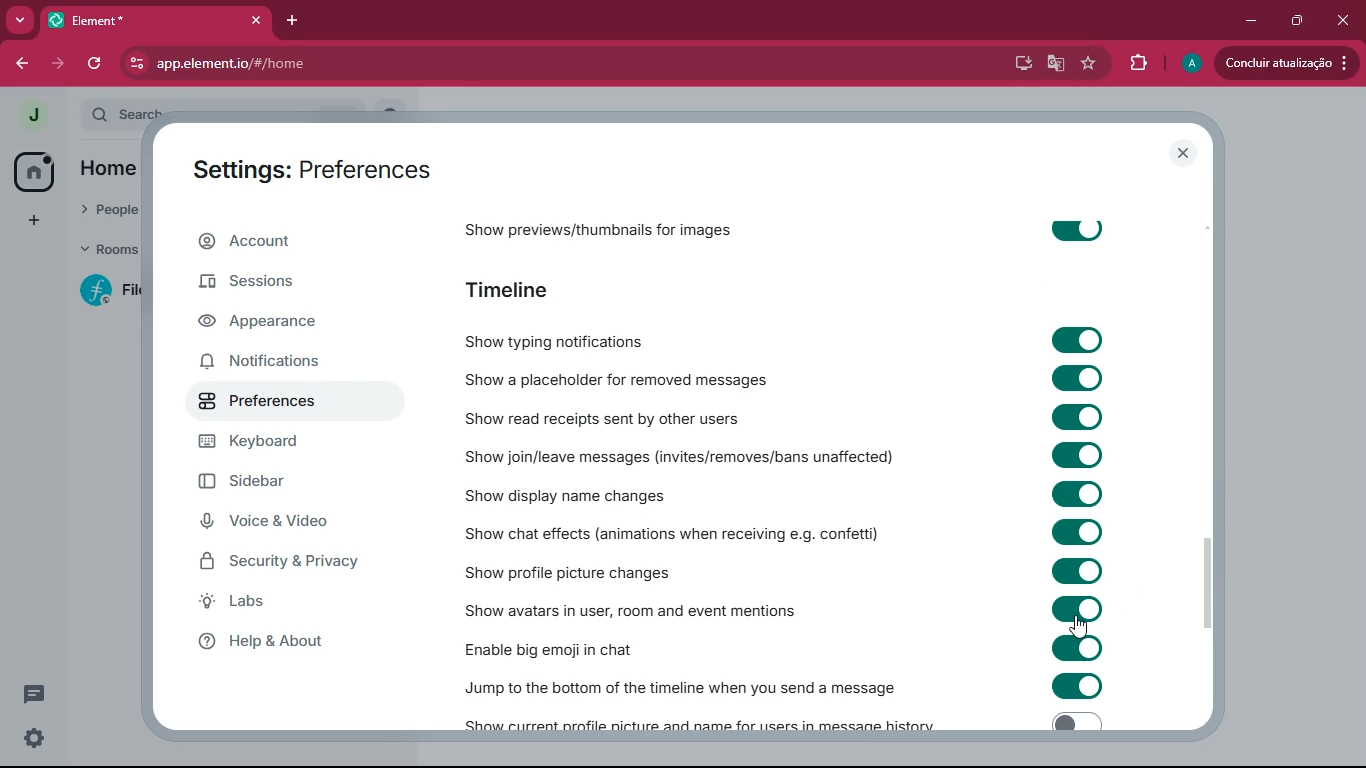  I want to click on add tab, so click(289, 21).